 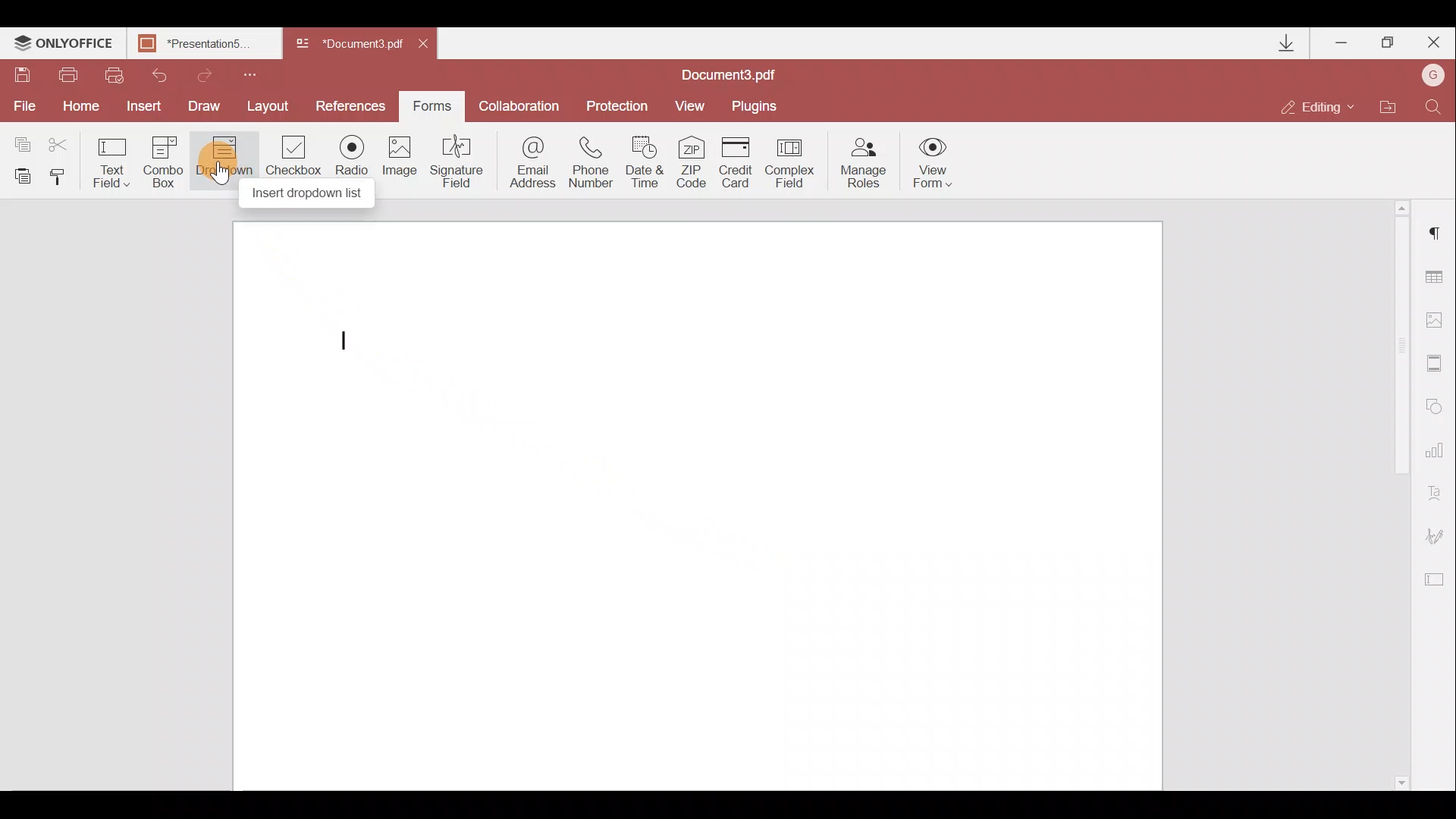 What do you see at coordinates (1433, 531) in the screenshot?
I see `Signature settings` at bounding box center [1433, 531].